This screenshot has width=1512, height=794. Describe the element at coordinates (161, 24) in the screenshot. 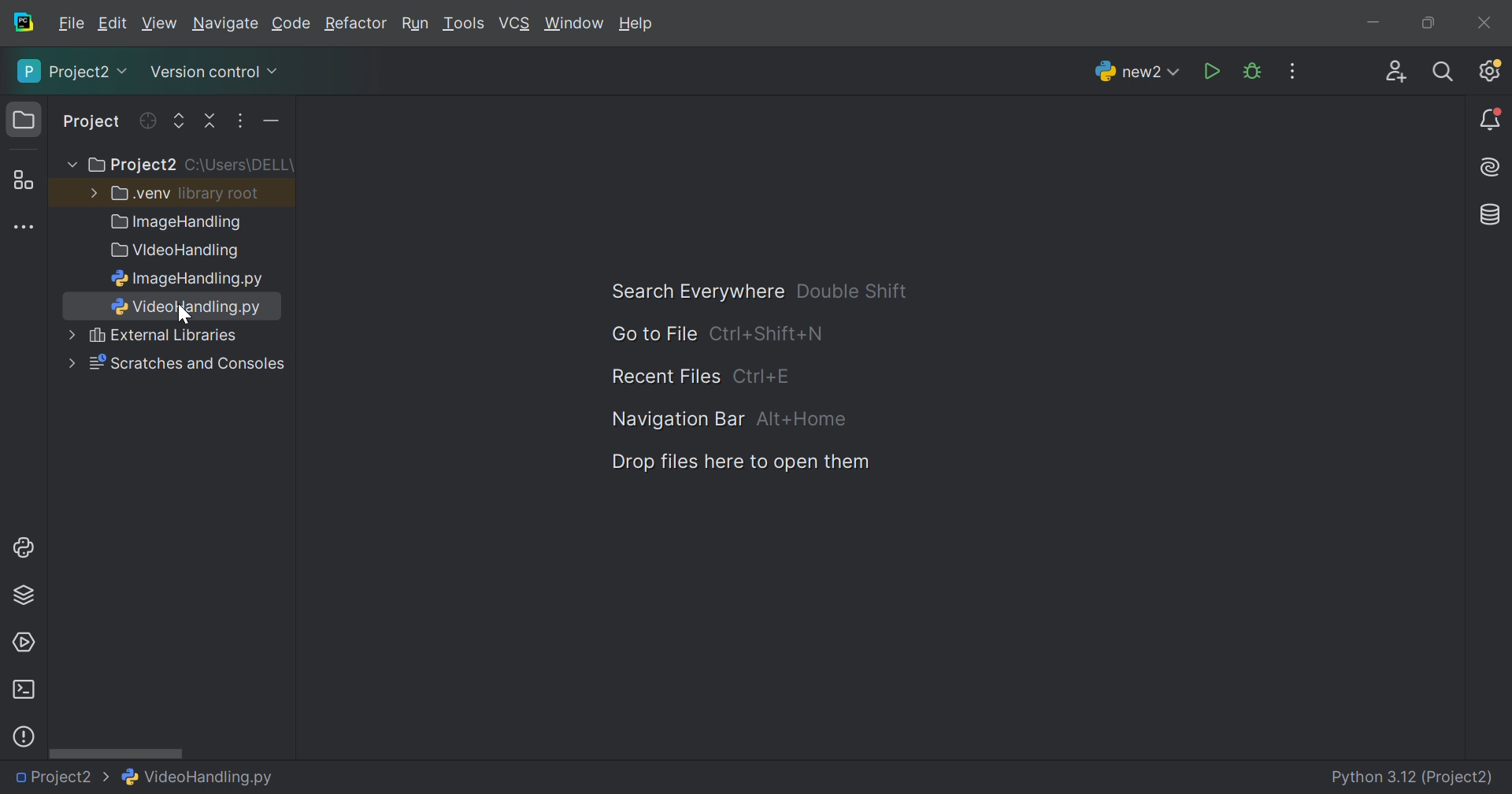

I see `View` at that location.